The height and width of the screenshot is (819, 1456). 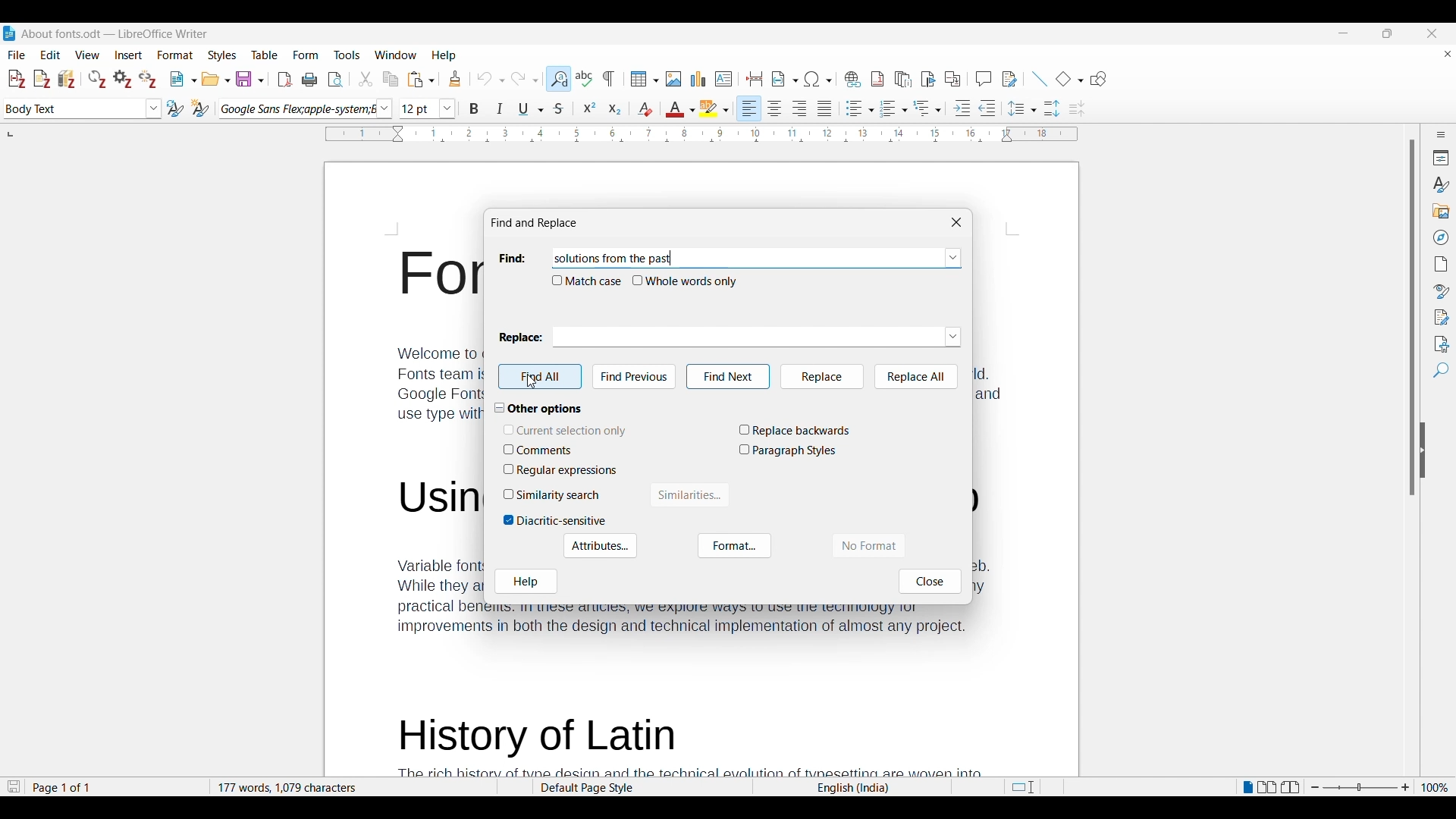 What do you see at coordinates (491, 79) in the screenshot?
I see `Undo` at bounding box center [491, 79].